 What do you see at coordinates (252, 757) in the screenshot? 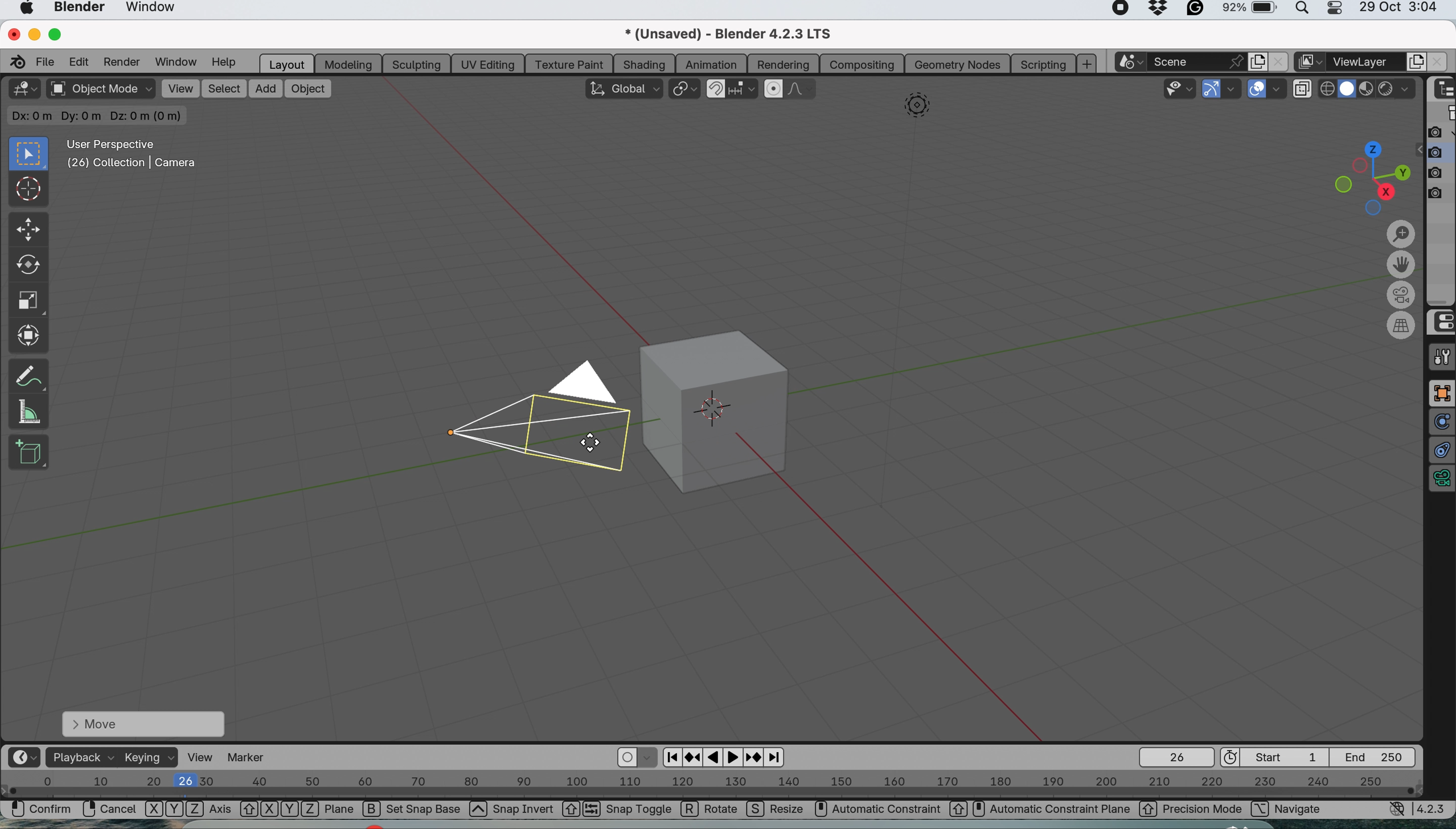
I see `marker` at bounding box center [252, 757].